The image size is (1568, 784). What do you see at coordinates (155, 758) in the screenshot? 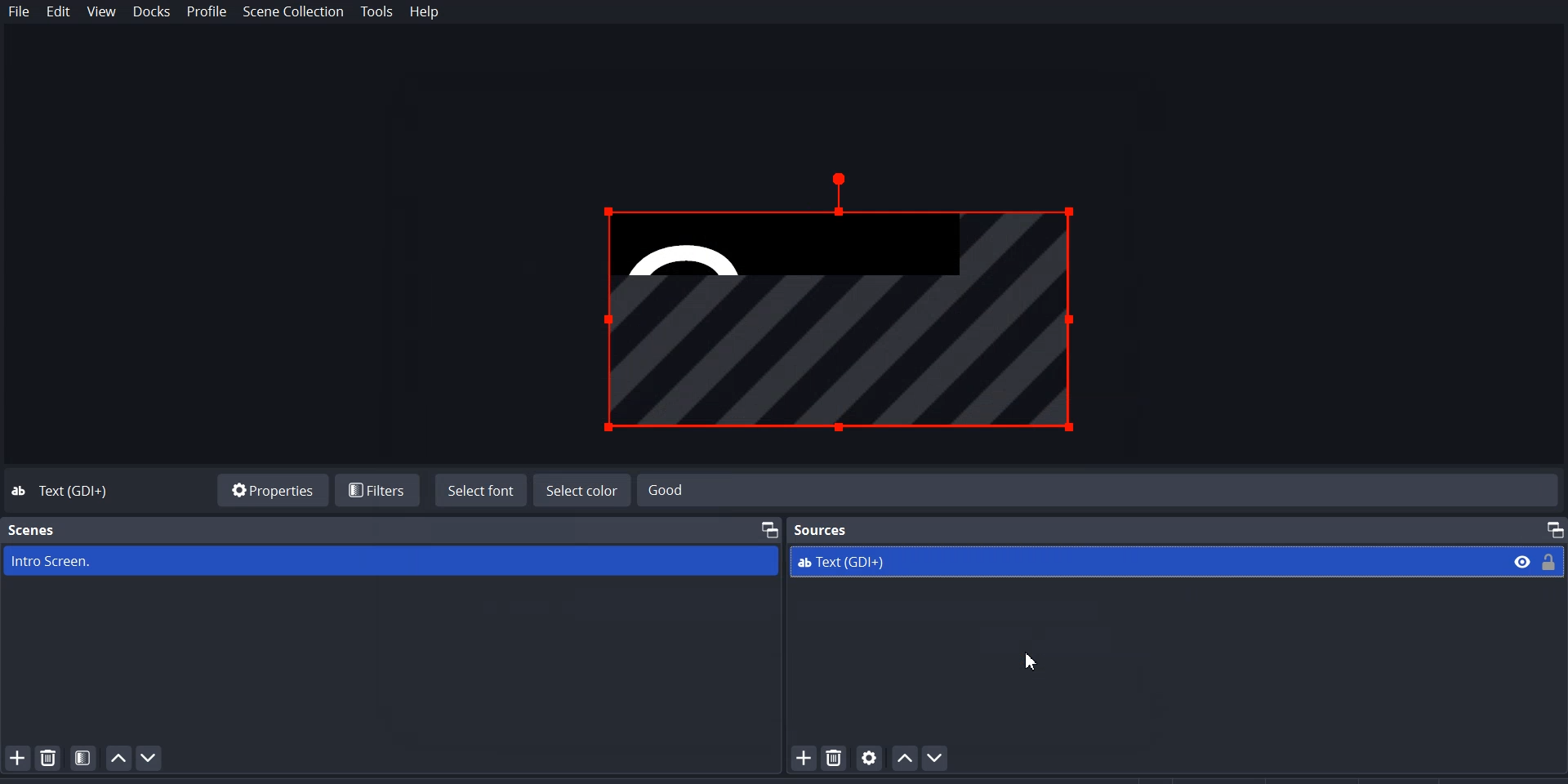
I see `Move scene Down` at bounding box center [155, 758].